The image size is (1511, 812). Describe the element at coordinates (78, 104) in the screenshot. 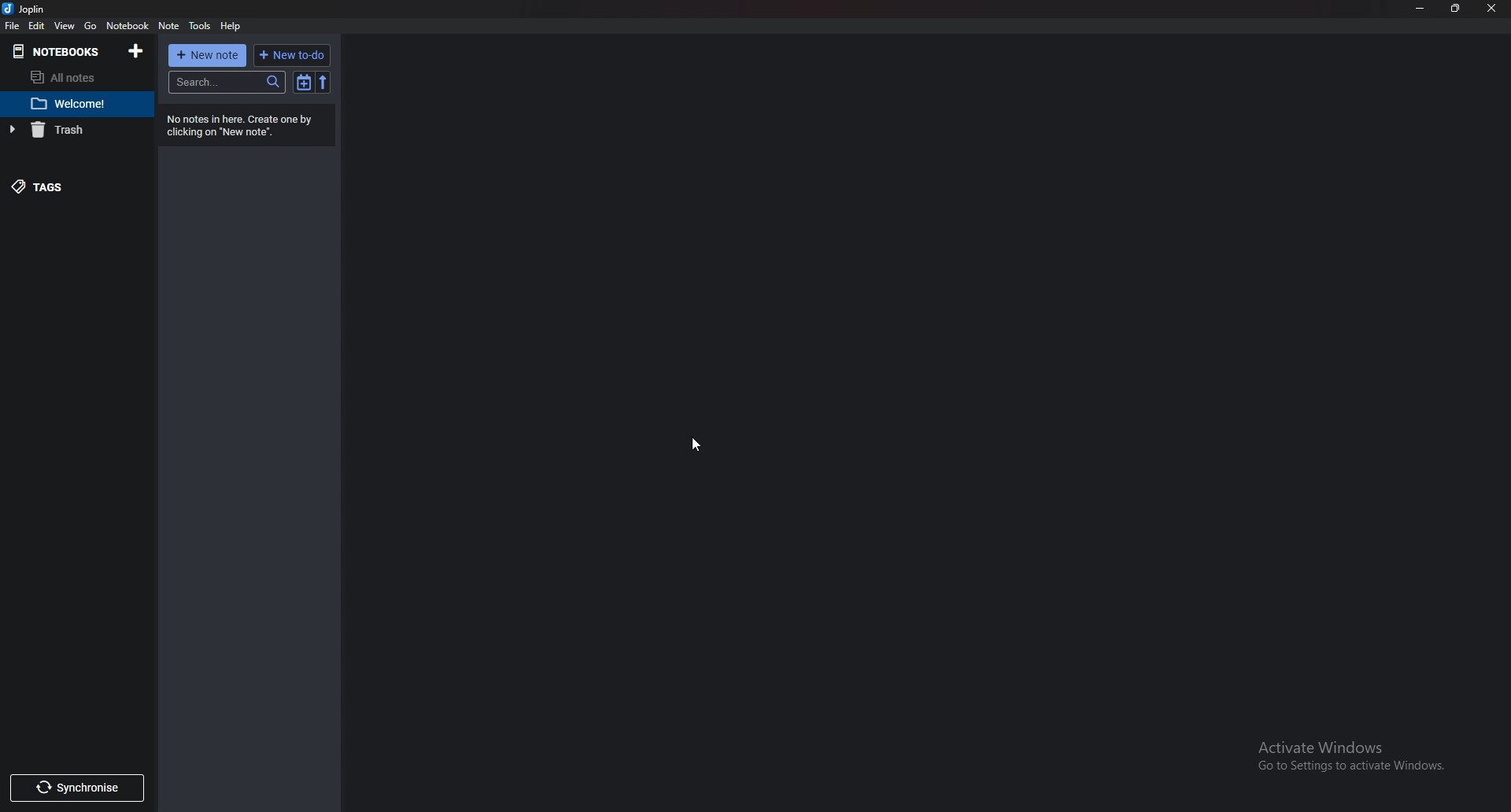

I see `Welcome` at that location.